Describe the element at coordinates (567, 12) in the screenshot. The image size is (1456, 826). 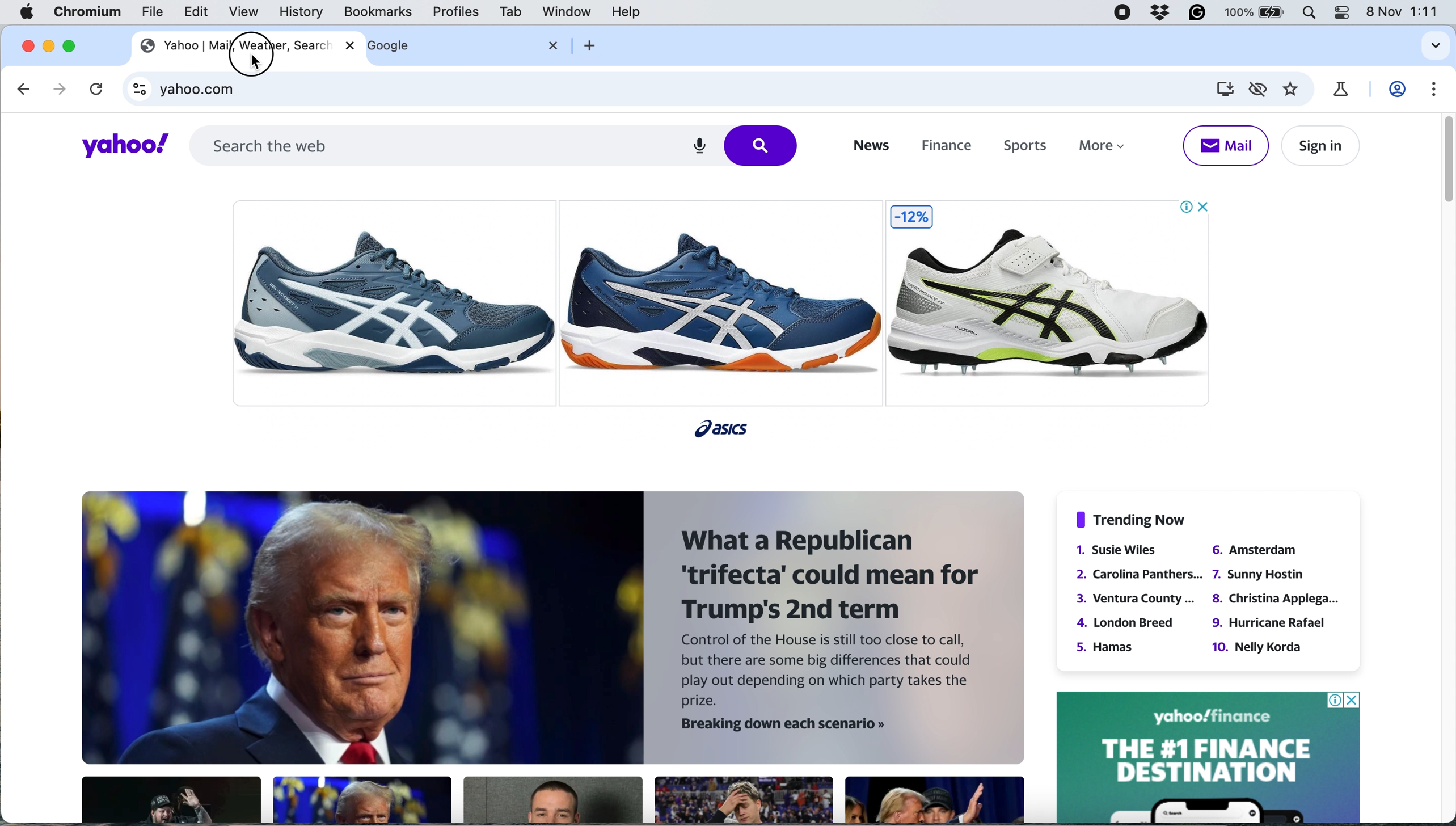
I see `window` at that location.